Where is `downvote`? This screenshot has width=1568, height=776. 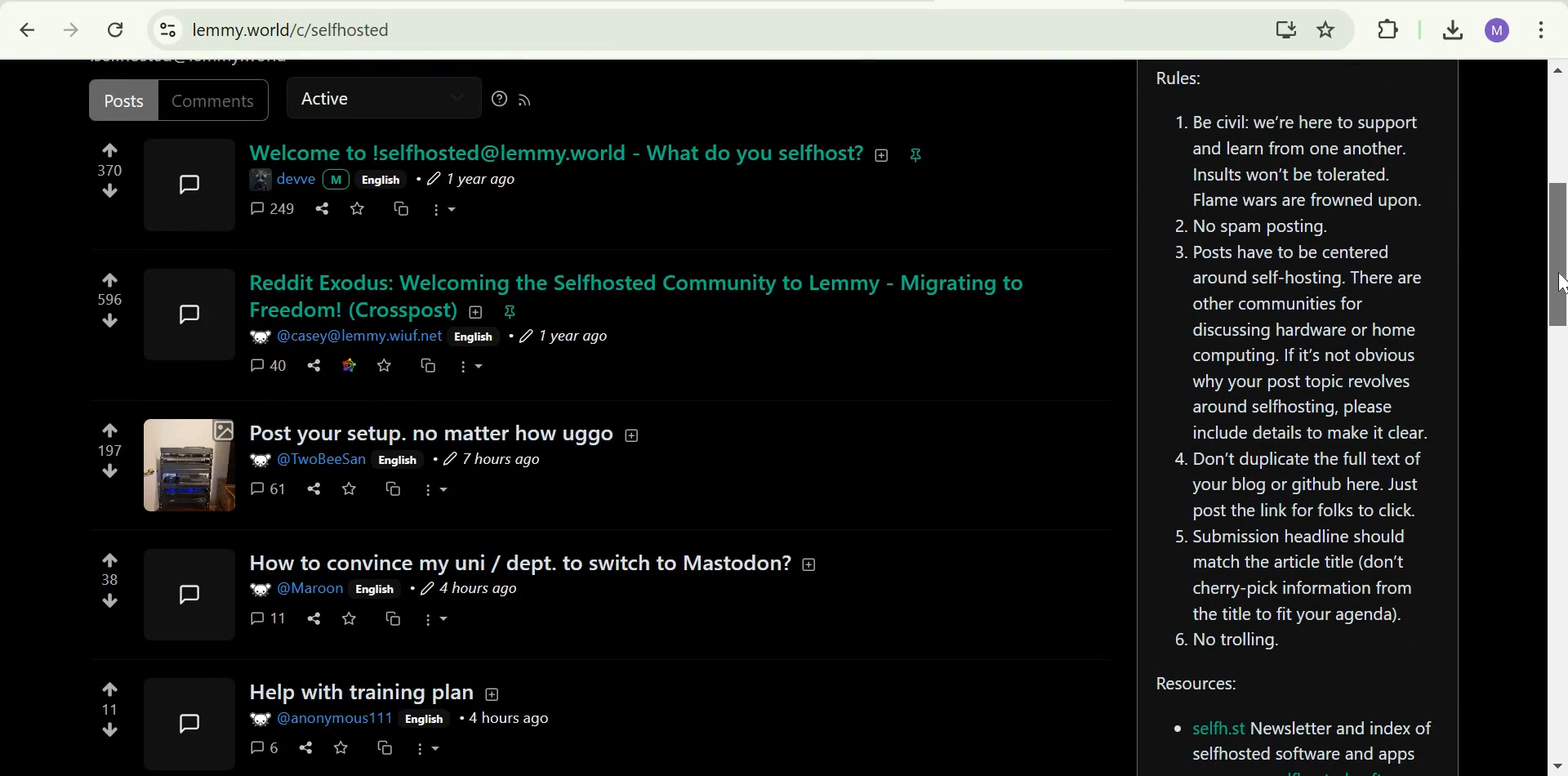 downvote is located at coordinates (109, 730).